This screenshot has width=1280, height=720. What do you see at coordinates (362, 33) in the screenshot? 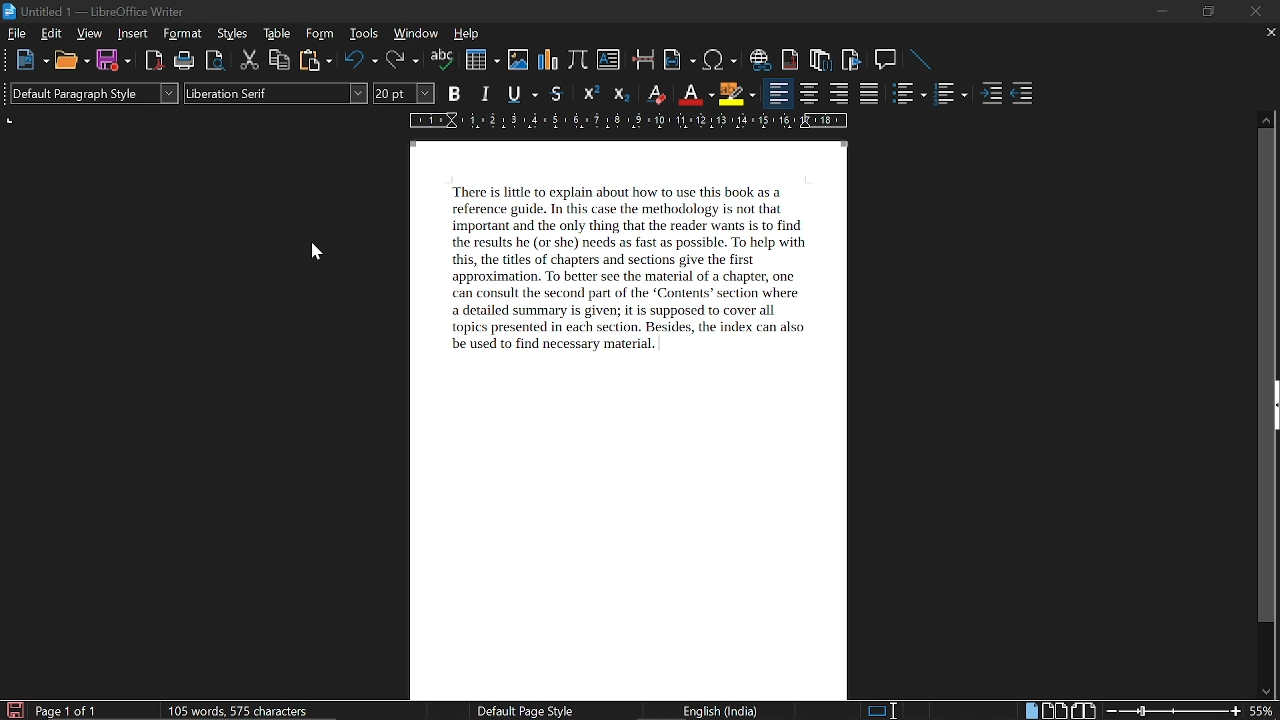
I see `tools` at bounding box center [362, 33].